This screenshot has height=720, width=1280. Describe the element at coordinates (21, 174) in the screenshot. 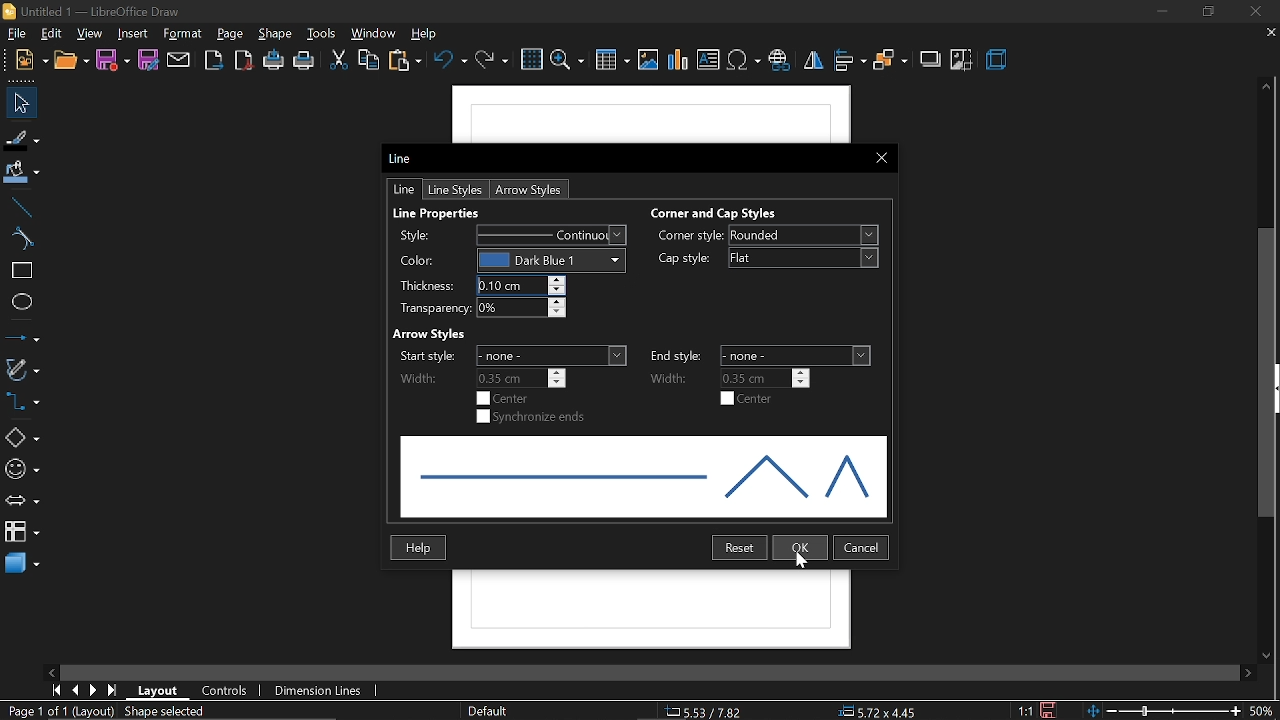

I see `fill color` at that location.